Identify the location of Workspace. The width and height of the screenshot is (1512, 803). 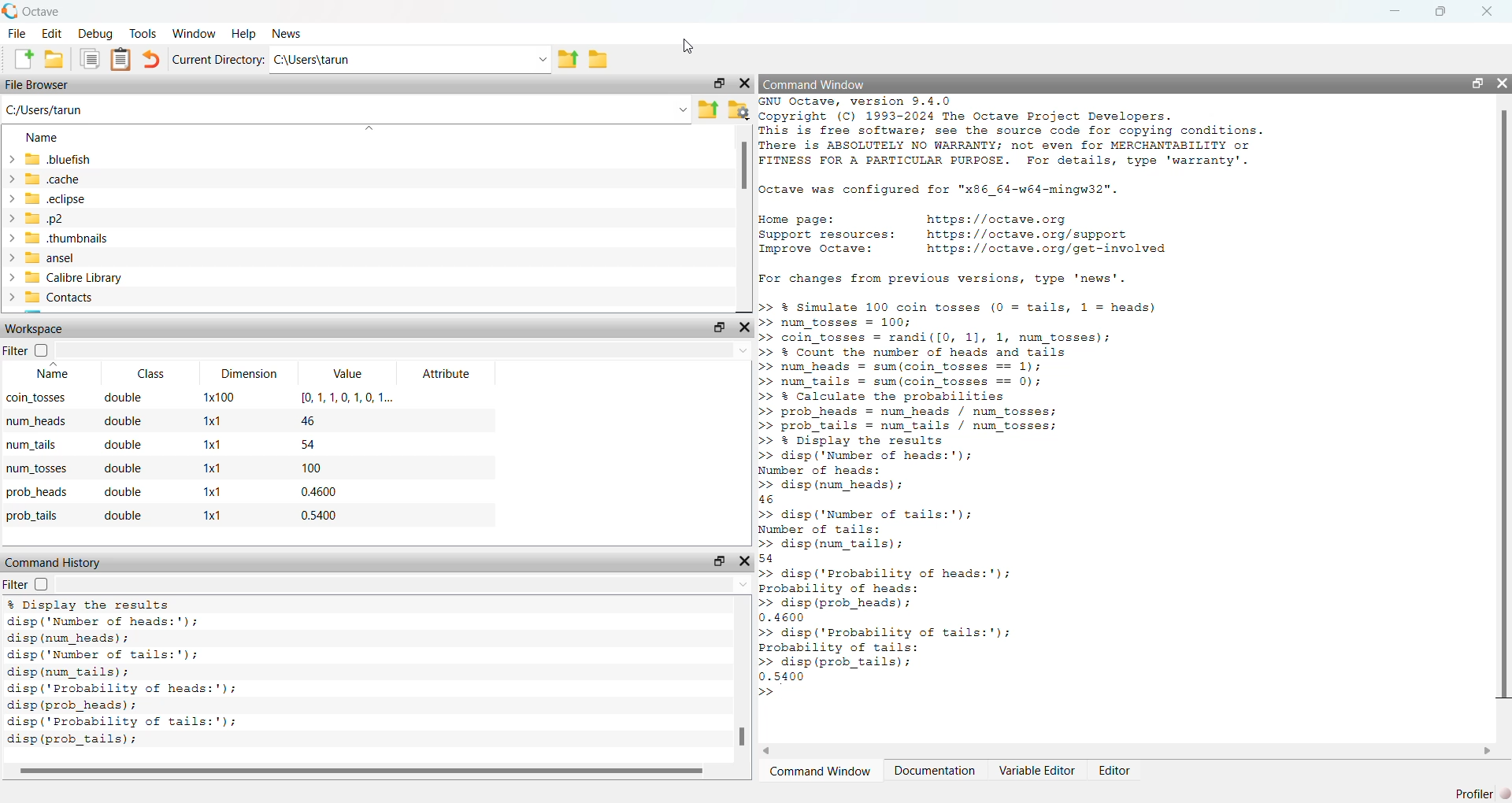
(35, 328).